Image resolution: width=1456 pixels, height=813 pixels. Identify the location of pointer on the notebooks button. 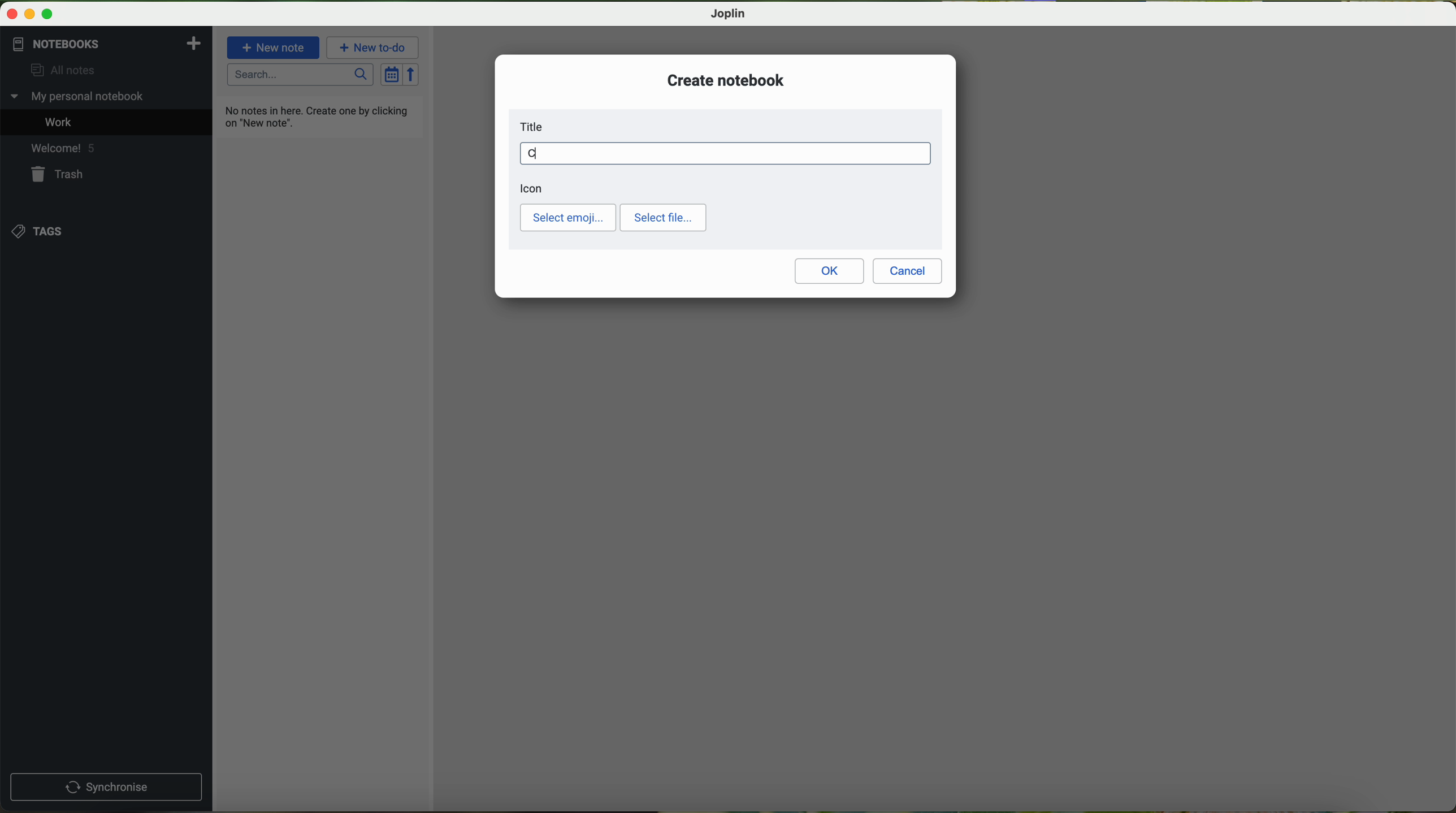
(75, 44).